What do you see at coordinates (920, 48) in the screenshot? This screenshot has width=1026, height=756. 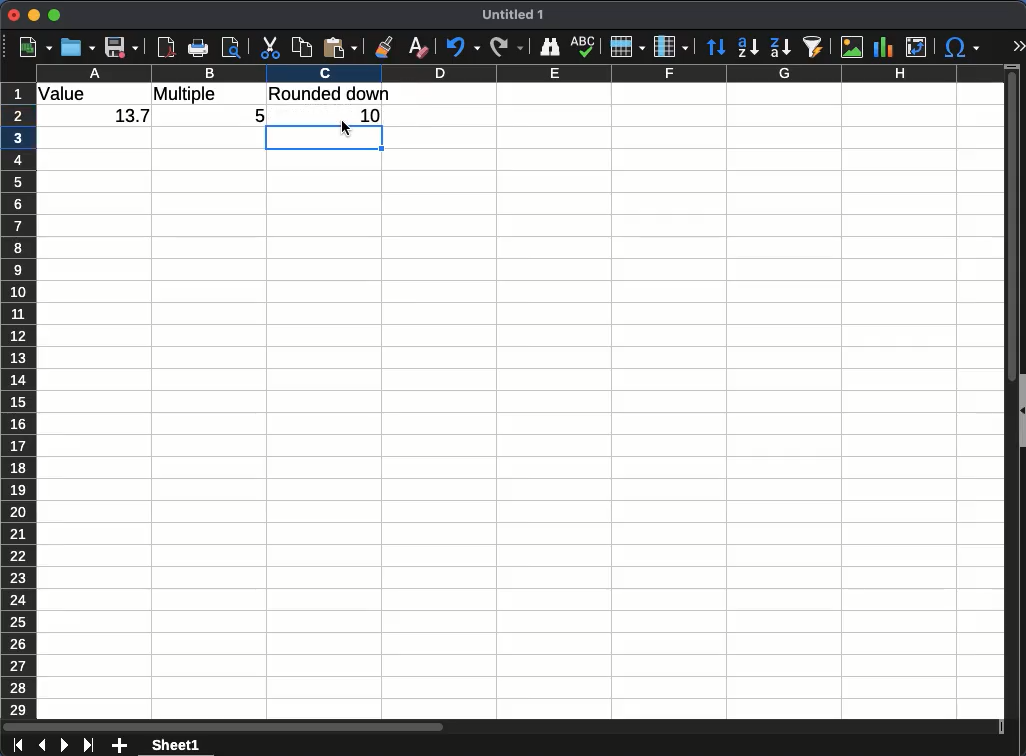 I see `pivot table` at bounding box center [920, 48].